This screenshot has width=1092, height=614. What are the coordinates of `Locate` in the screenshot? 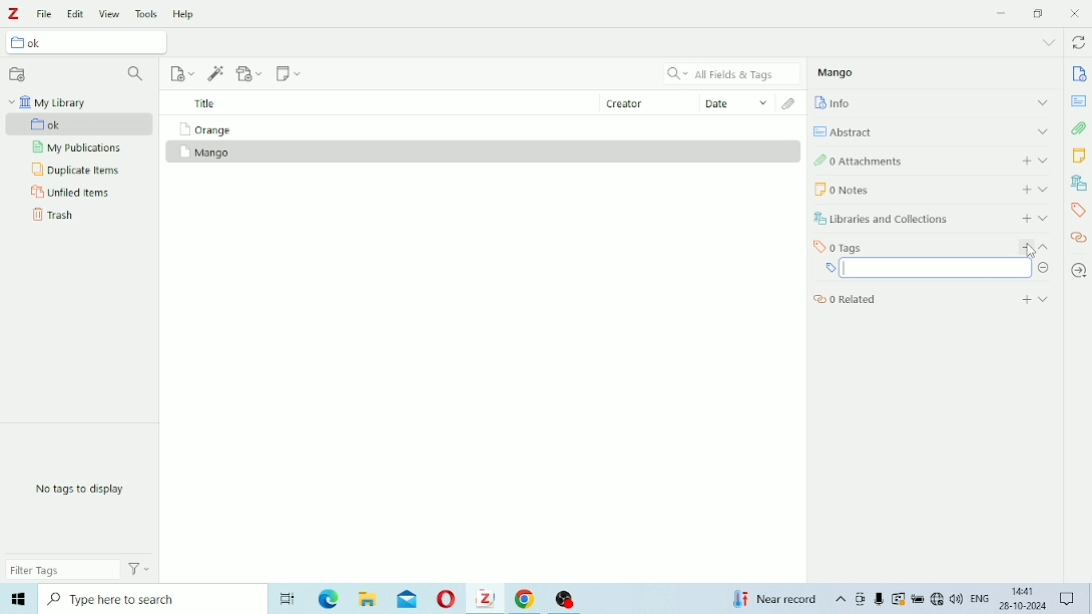 It's located at (1078, 271).